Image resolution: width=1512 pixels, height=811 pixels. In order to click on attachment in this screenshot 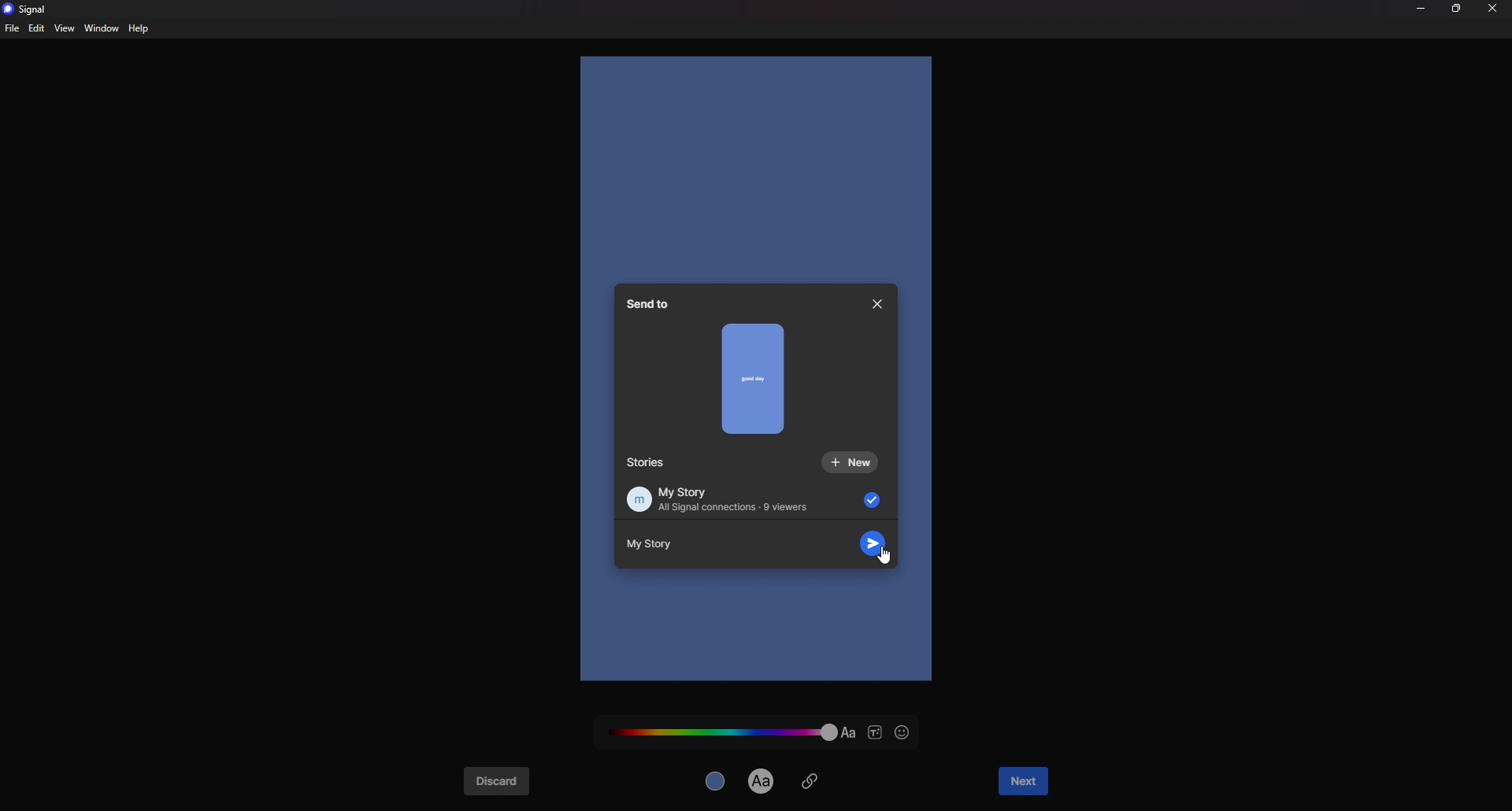, I will do `click(810, 780)`.